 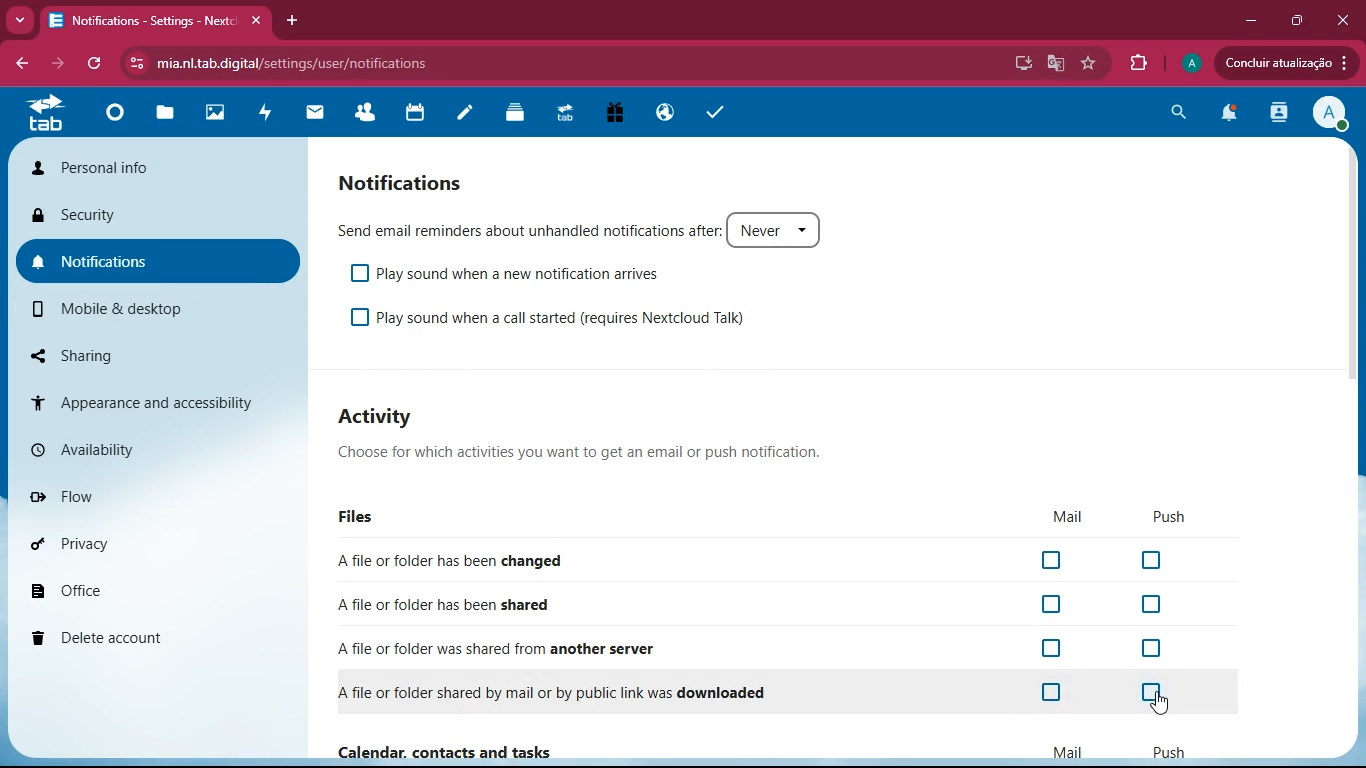 I want to click on close, so click(x=1341, y=20).